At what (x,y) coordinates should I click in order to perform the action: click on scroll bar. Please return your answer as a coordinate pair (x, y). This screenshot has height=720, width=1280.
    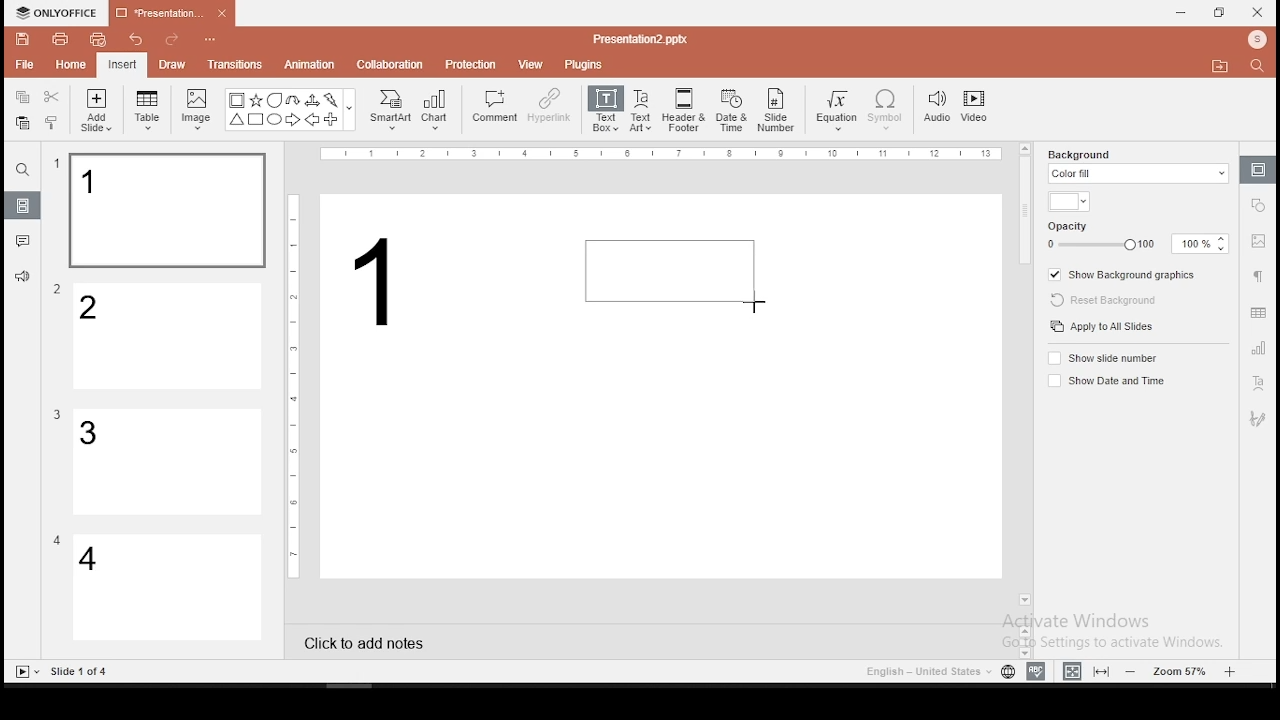
    Looking at the image, I should click on (1026, 373).